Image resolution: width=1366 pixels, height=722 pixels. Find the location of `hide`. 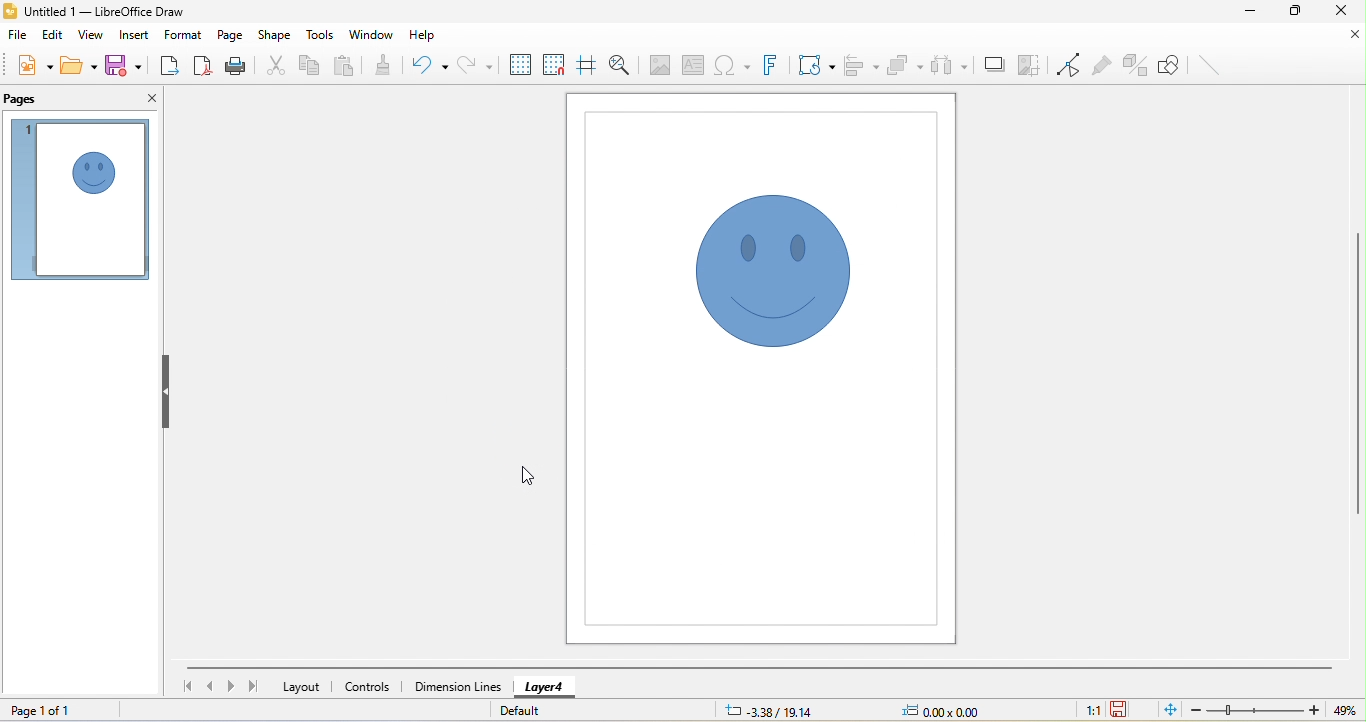

hide is located at coordinates (168, 393).